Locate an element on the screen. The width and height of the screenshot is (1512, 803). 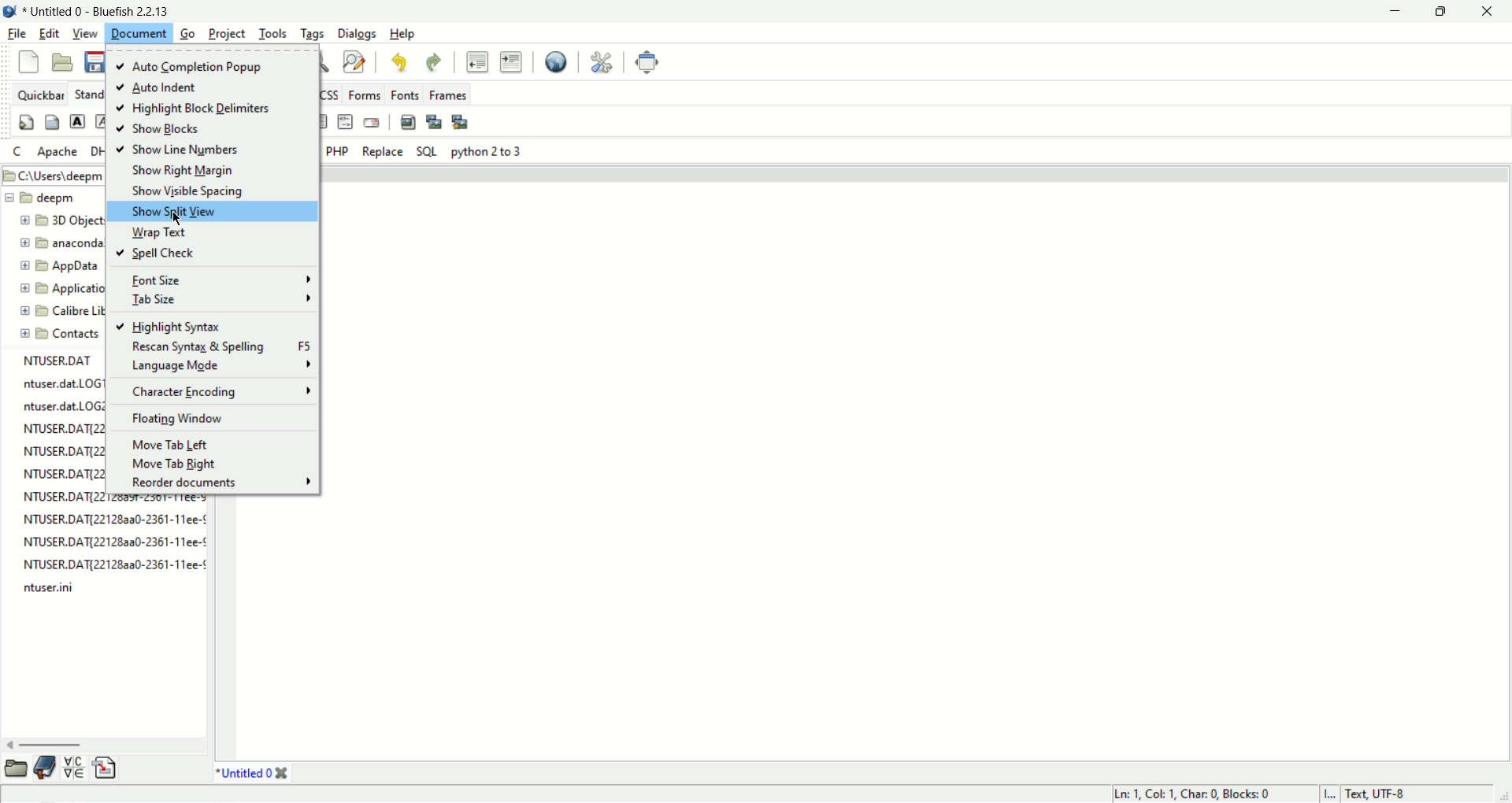
preferences is located at coordinates (603, 63).